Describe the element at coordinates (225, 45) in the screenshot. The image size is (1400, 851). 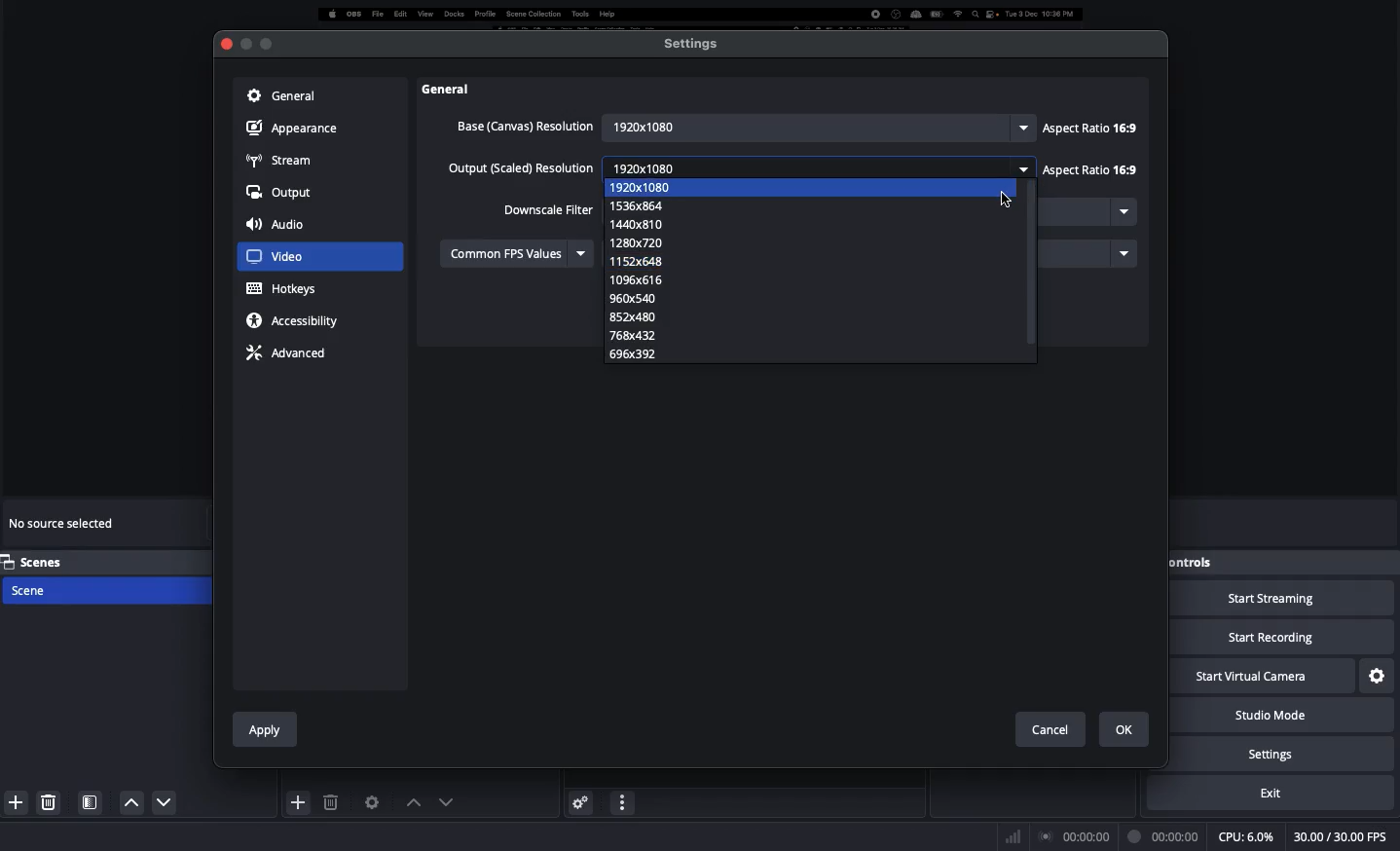
I see `Close` at that location.